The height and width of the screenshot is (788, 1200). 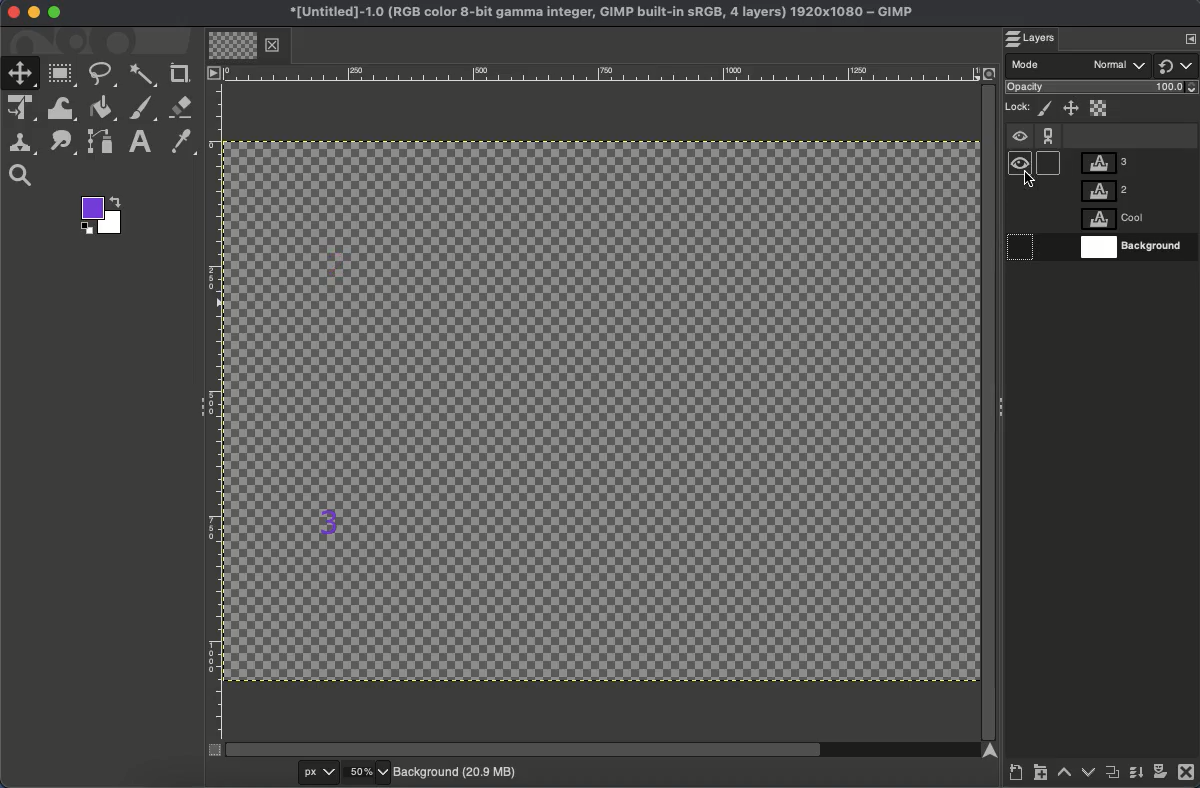 What do you see at coordinates (24, 109) in the screenshot?
I see `Unified transformation` at bounding box center [24, 109].